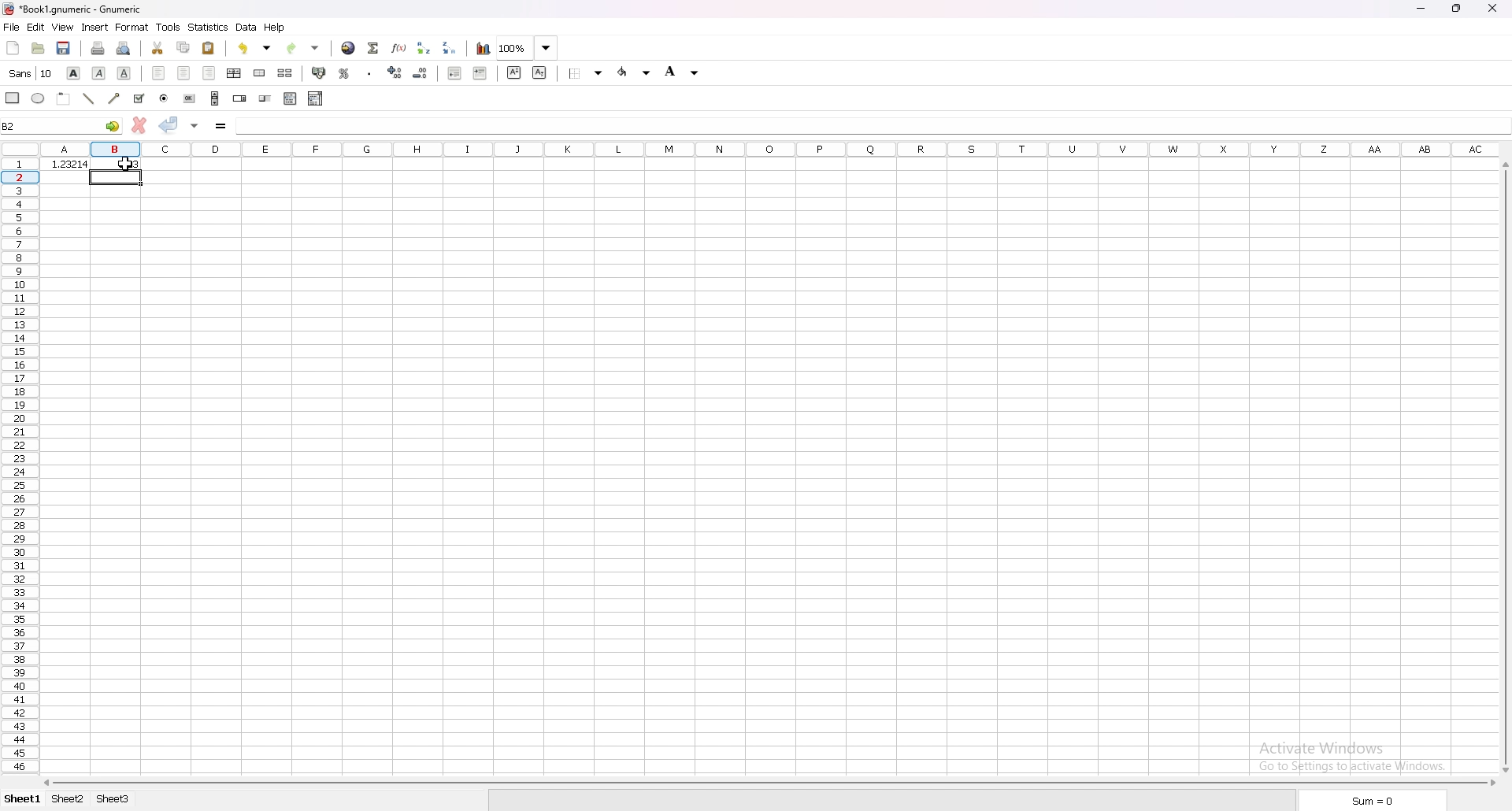  I want to click on list, so click(290, 98).